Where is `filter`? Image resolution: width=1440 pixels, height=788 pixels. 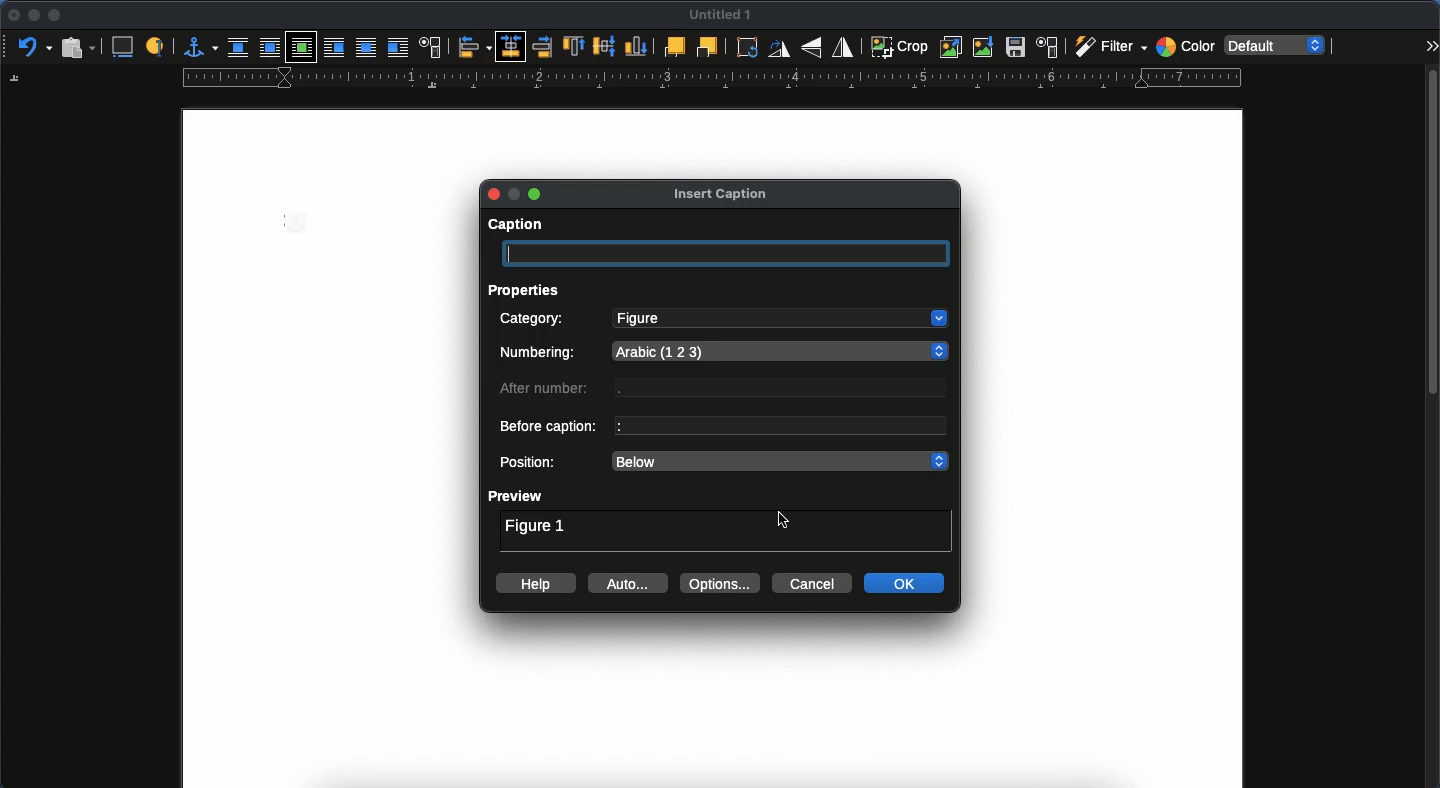 filter is located at coordinates (1108, 47).